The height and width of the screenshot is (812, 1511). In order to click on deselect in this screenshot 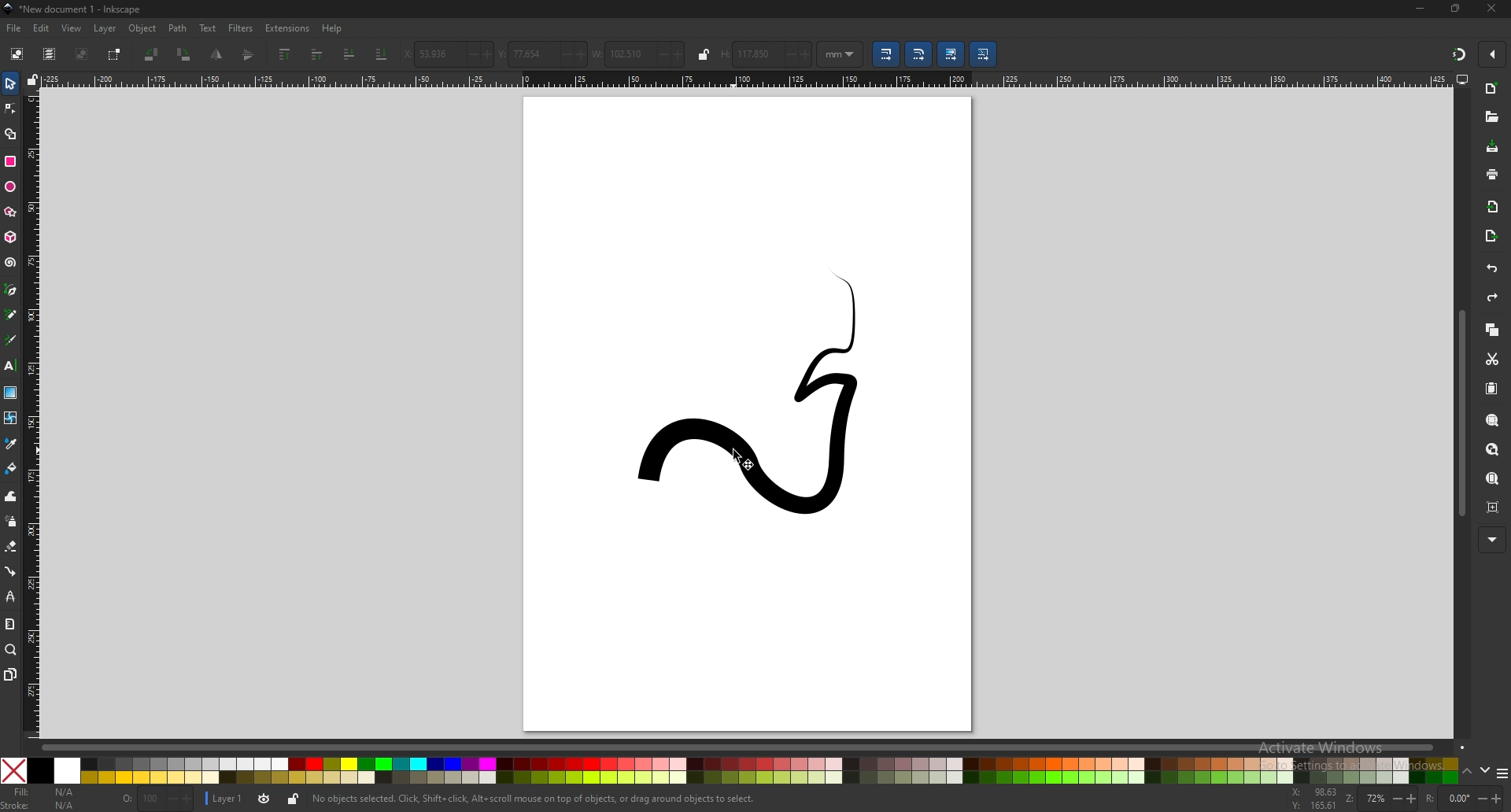, I will do `click(83, 54)`.